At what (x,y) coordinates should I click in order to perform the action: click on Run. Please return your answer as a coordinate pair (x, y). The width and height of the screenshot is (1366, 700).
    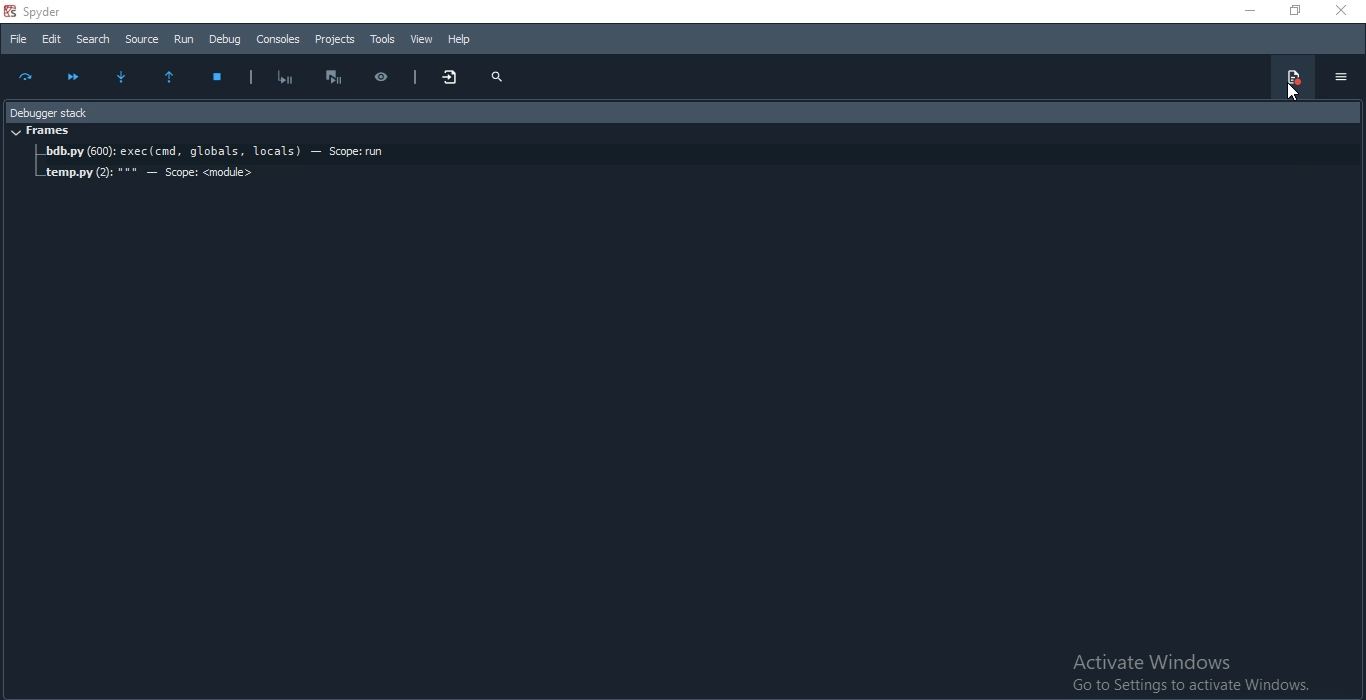
    Looking at the image, I should click on (185, 38).